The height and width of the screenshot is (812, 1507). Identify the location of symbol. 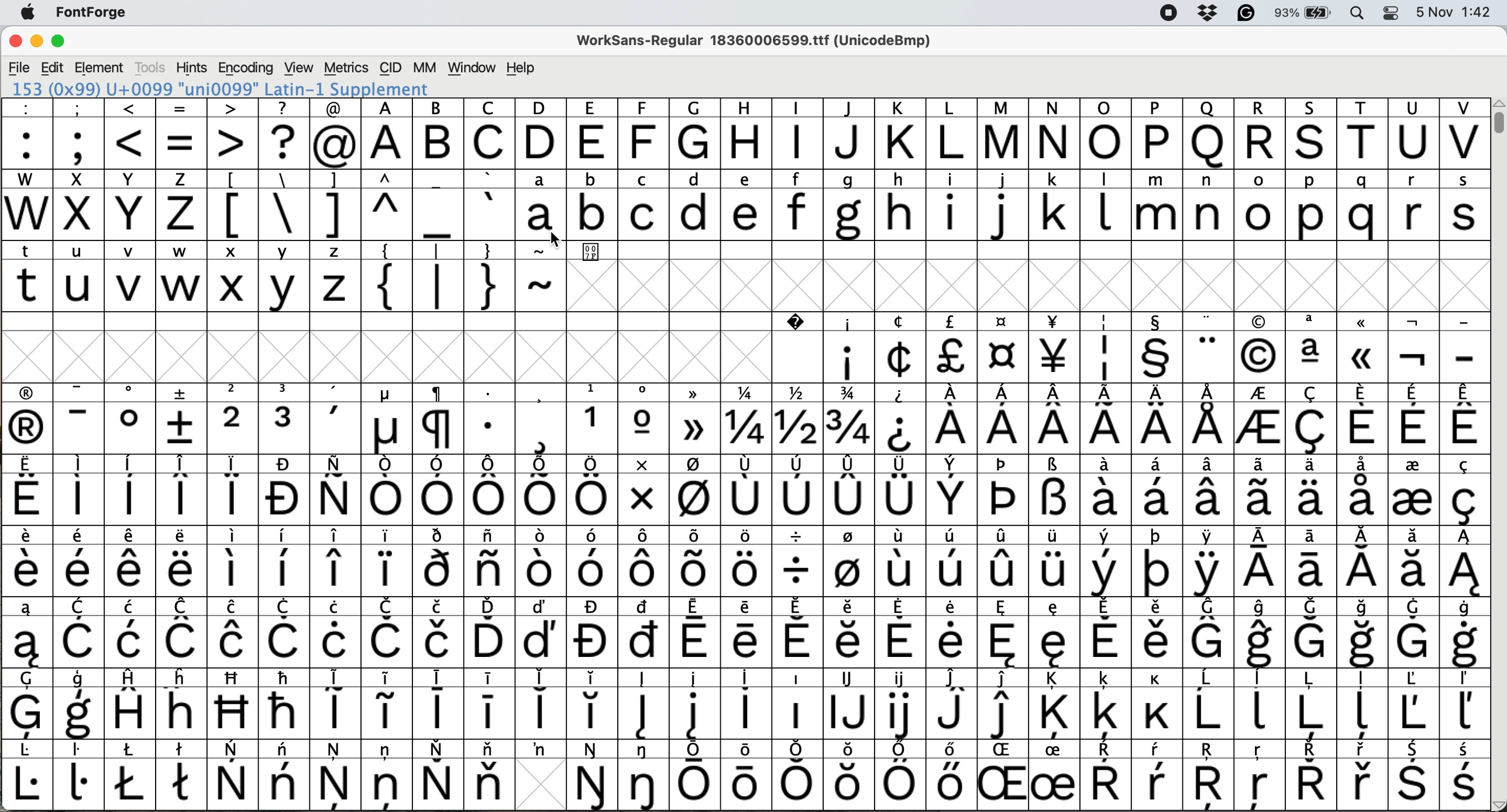
(901, 631).